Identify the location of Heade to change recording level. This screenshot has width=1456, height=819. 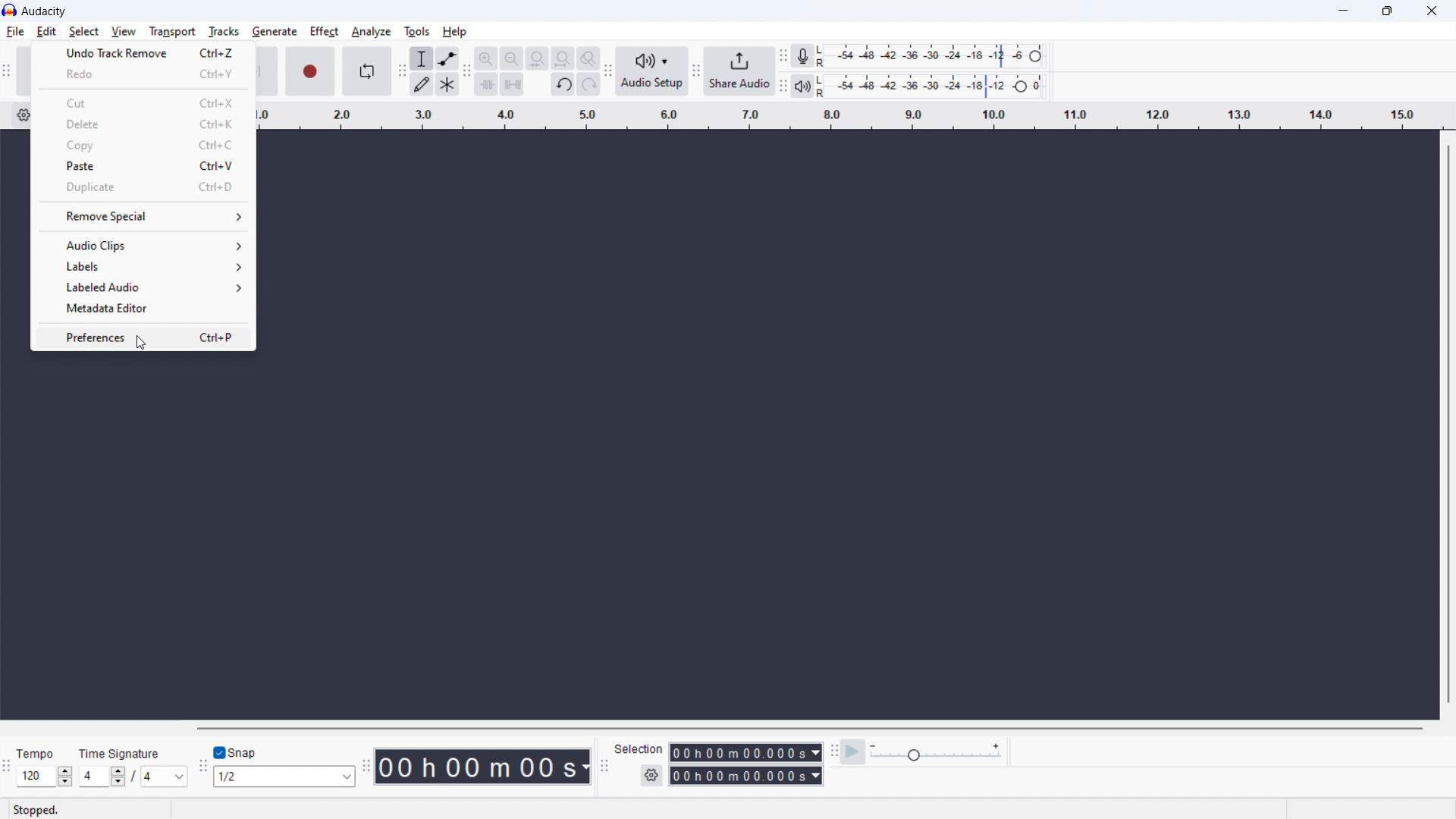
(1035, 56).